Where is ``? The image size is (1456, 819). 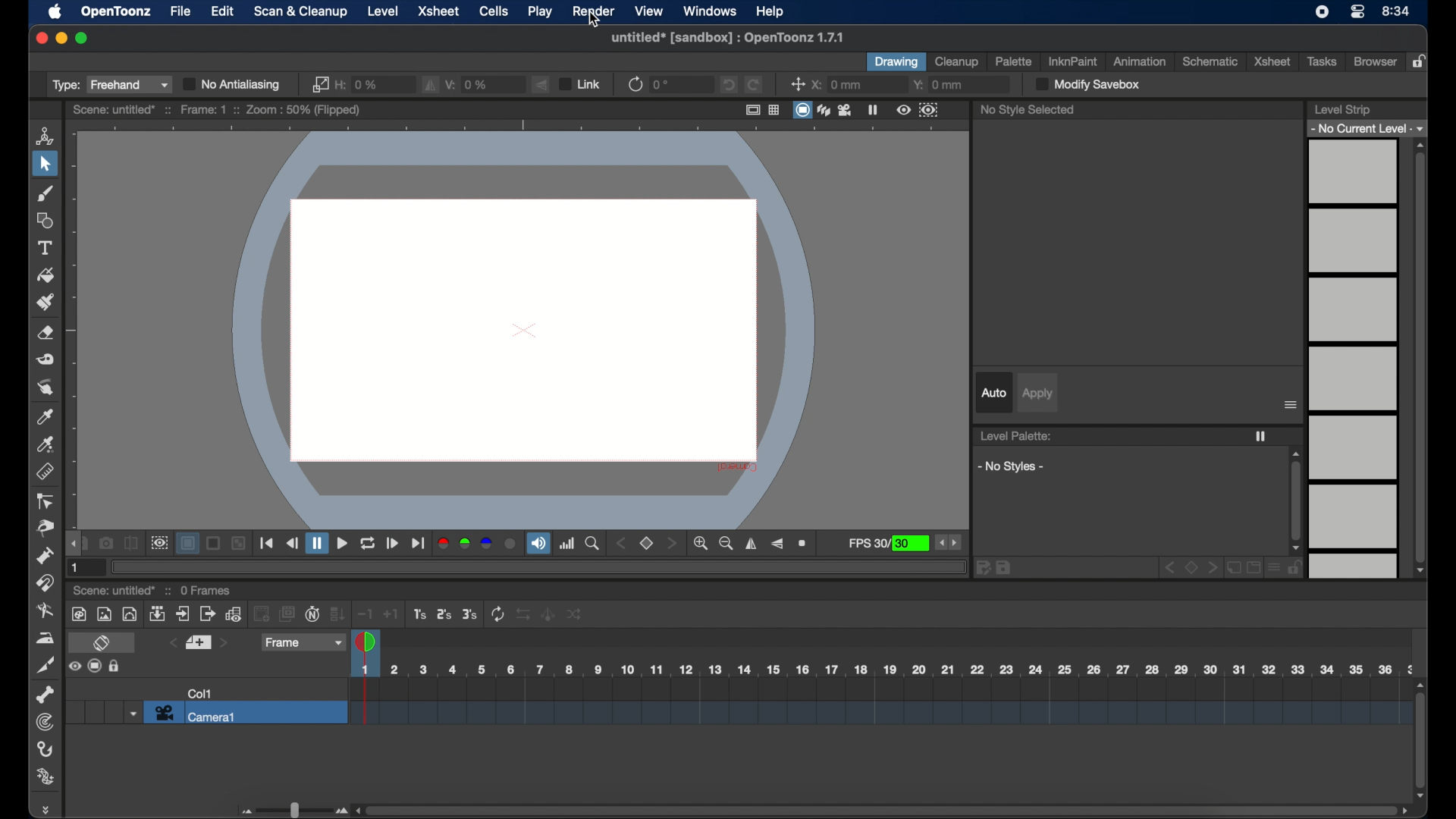
 is located at coordinates (471, 613).